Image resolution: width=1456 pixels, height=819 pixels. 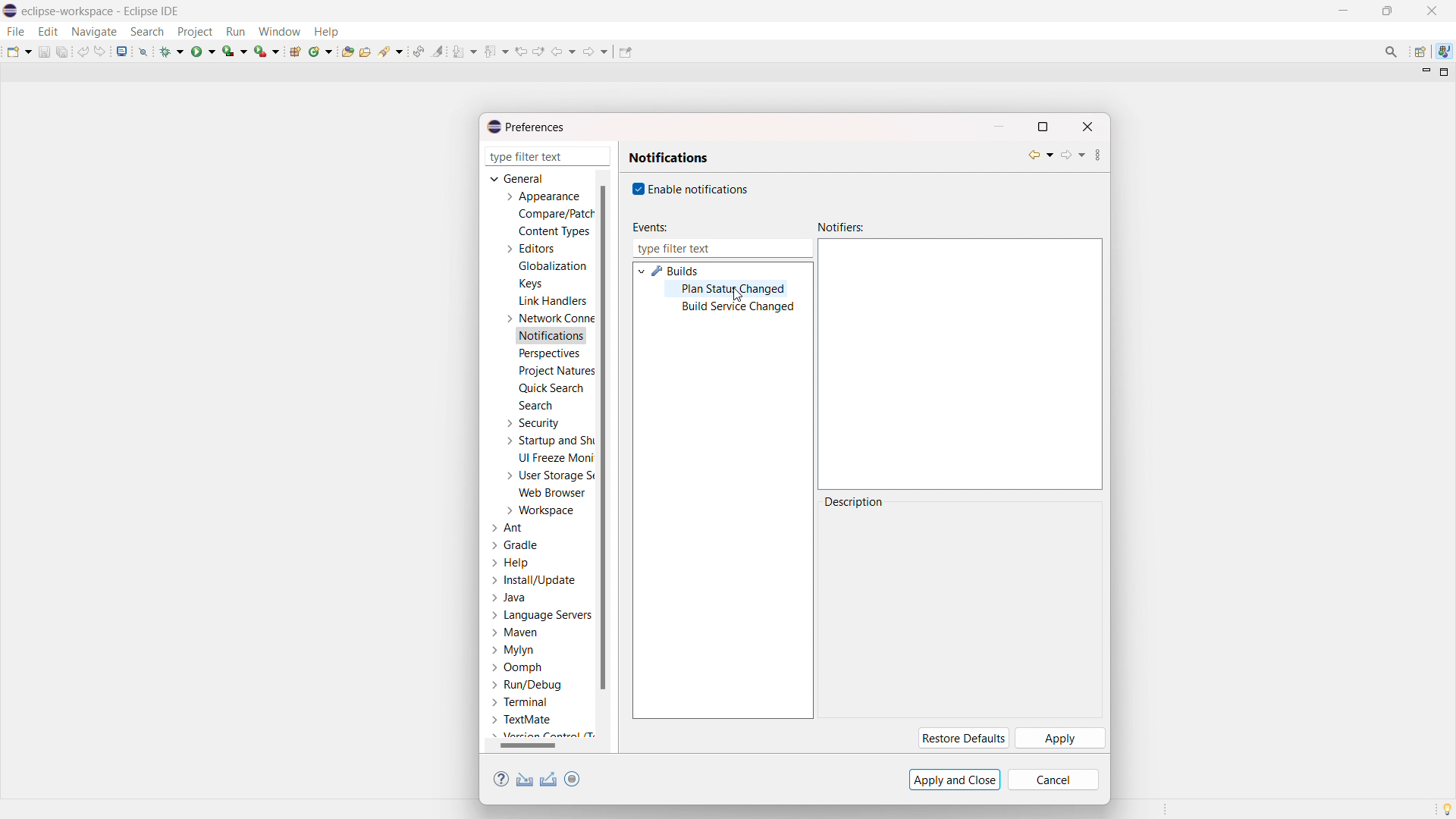 What do you see at coordinates (1392, 52) in the screenshot?
I see `access commands and other items` at bounding box center [1392, 52].